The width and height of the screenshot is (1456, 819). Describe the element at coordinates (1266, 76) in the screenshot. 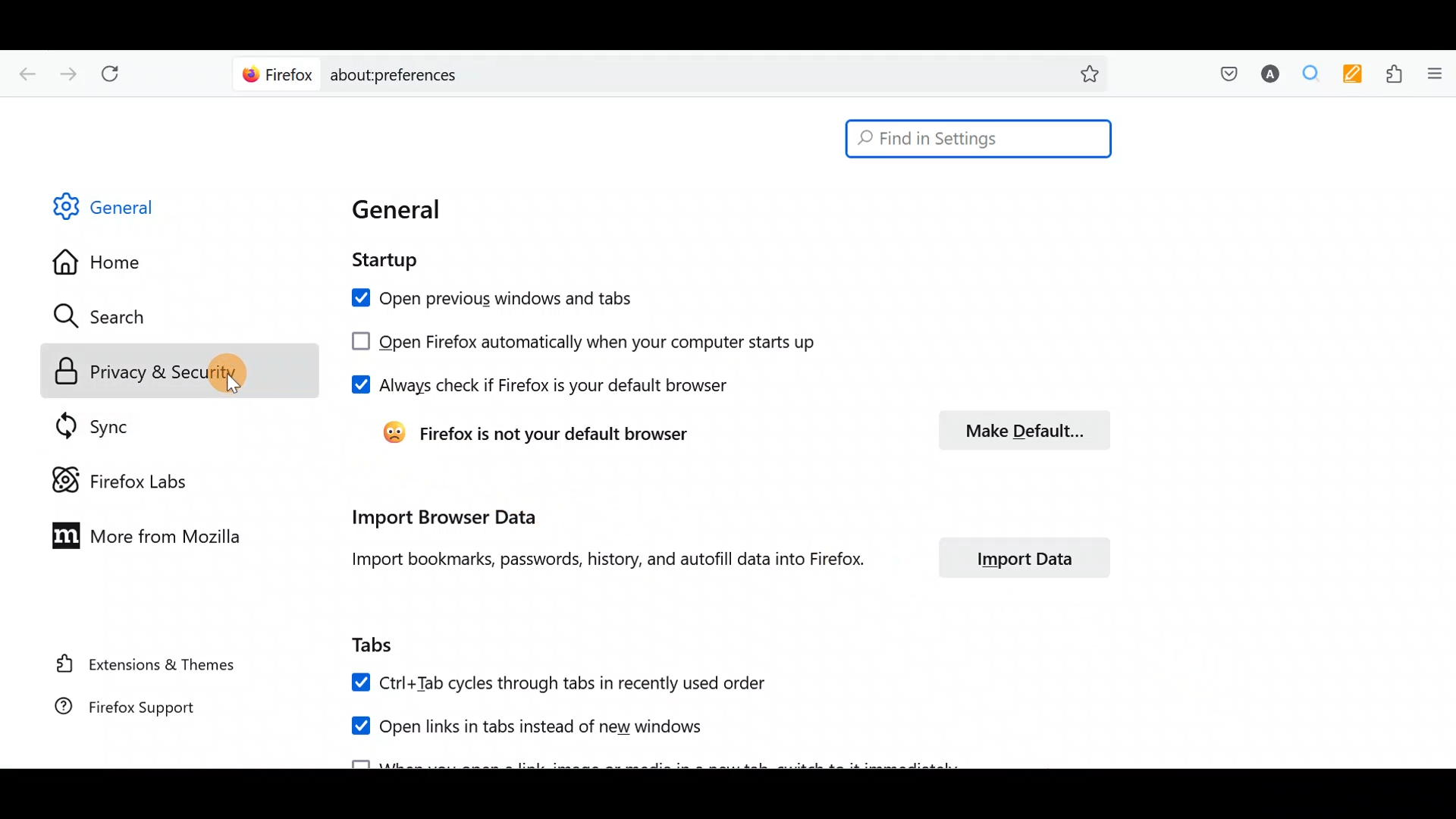

I see `Account name` at that location.